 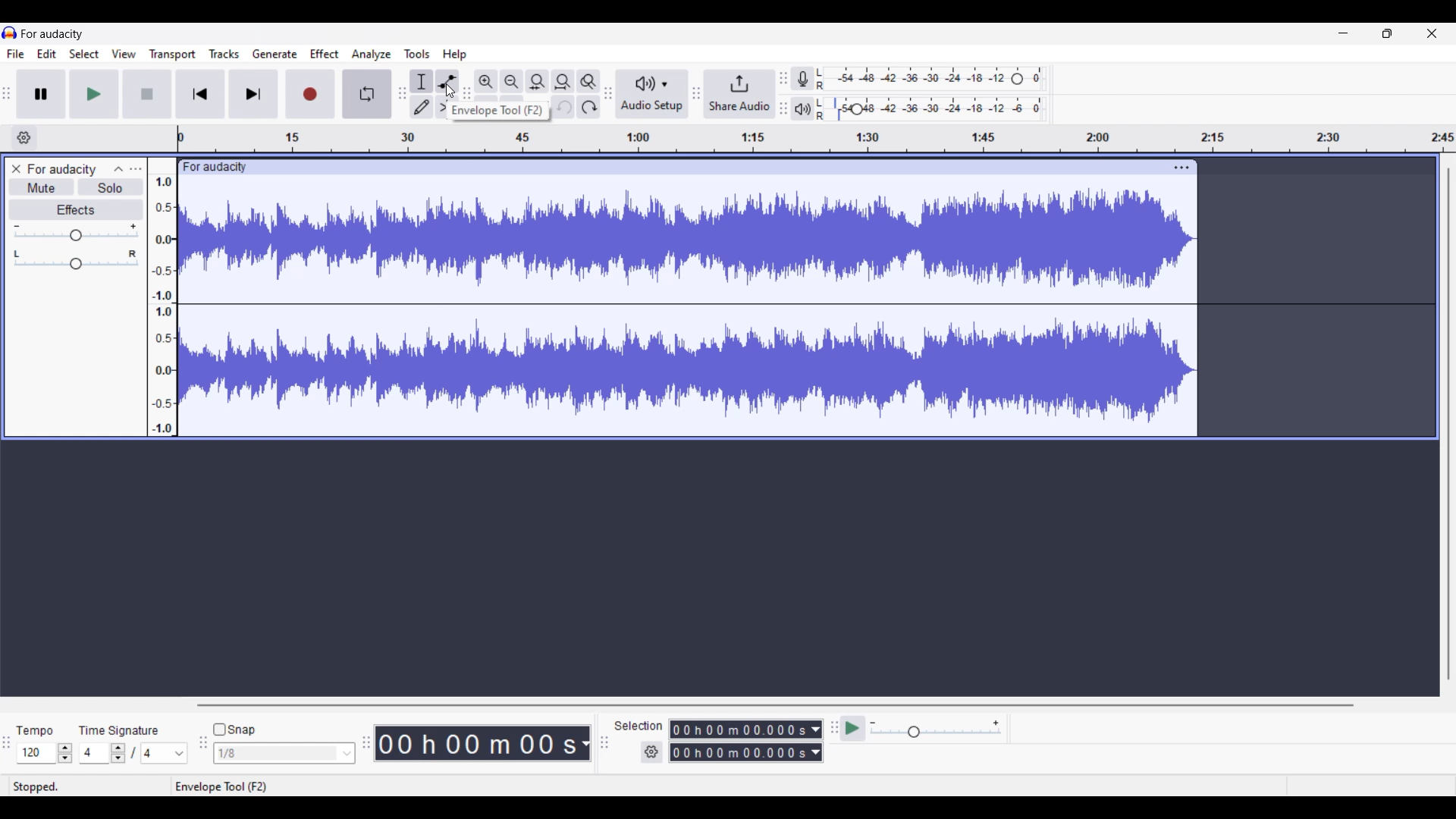 I want to click on Effects, so click(x=76, y=209).